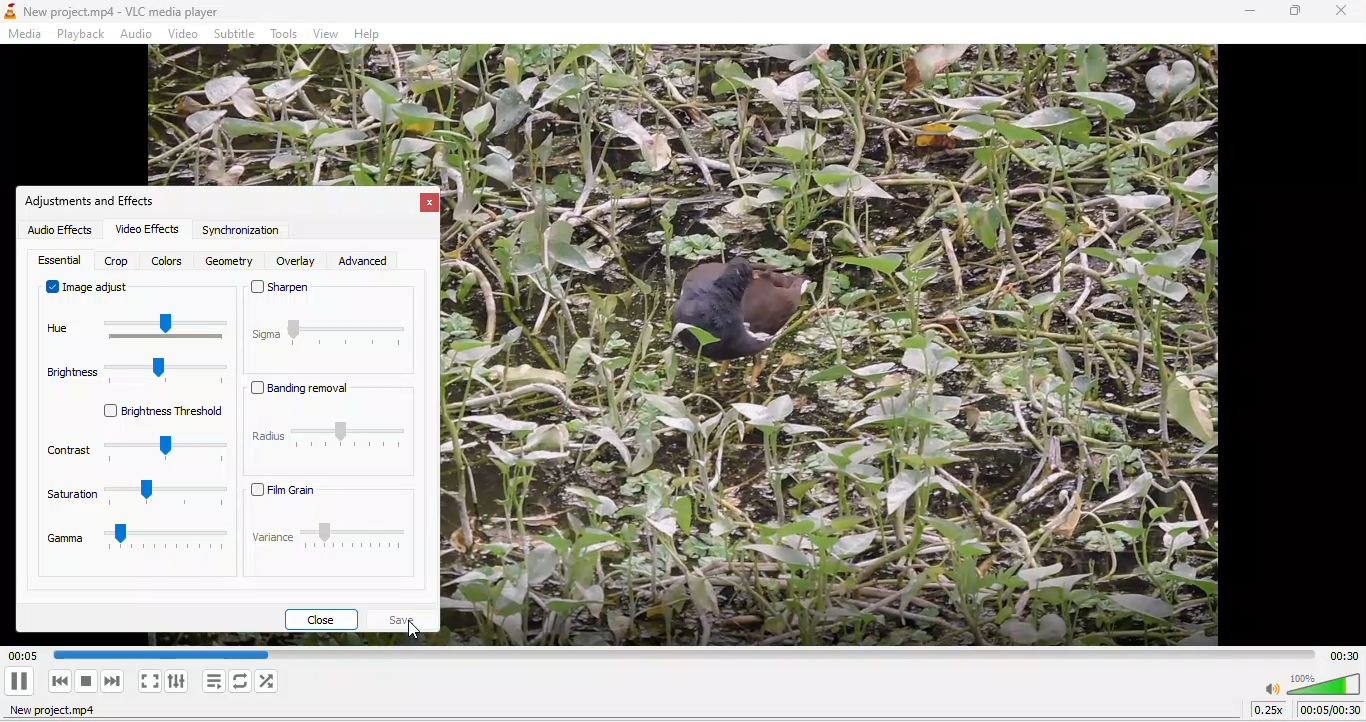  What do you see at coordinates (428, 205) in the screenshot?
I see `close` at bounding box center [428, 205].